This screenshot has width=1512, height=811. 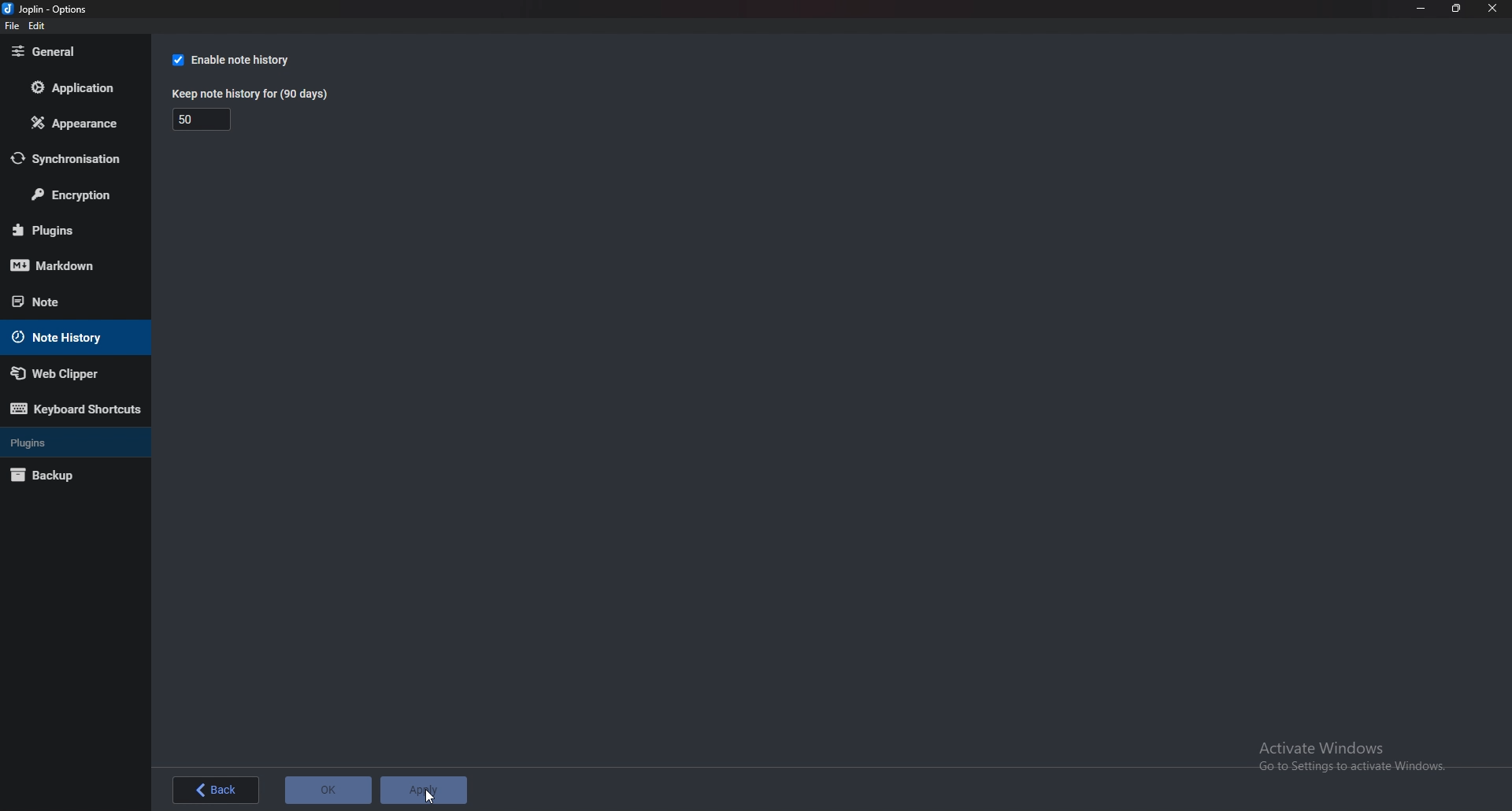 I want to click on General, so click(x=72, y=53).